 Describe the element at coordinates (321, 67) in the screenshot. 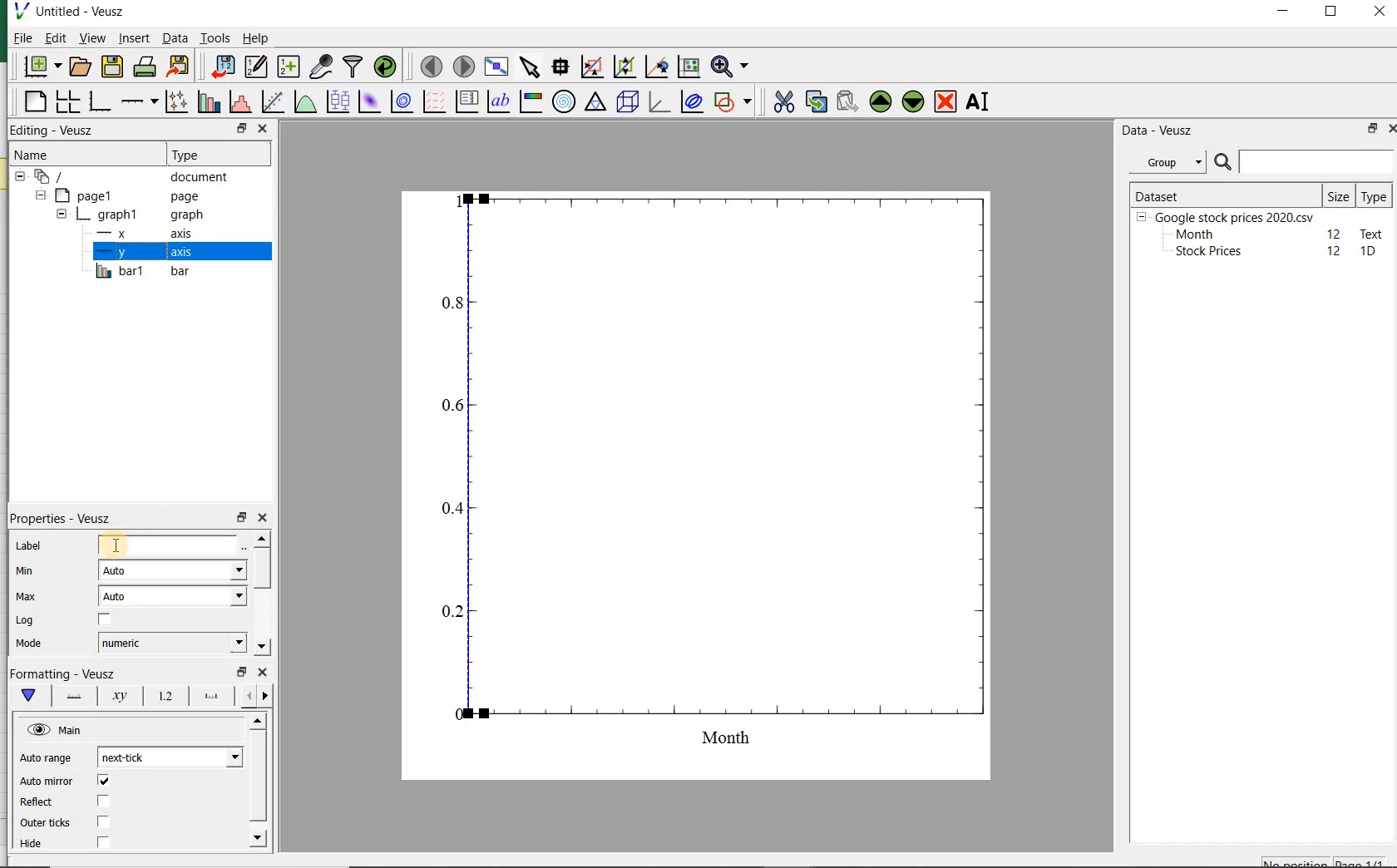

I see `capture remote data` at that location.